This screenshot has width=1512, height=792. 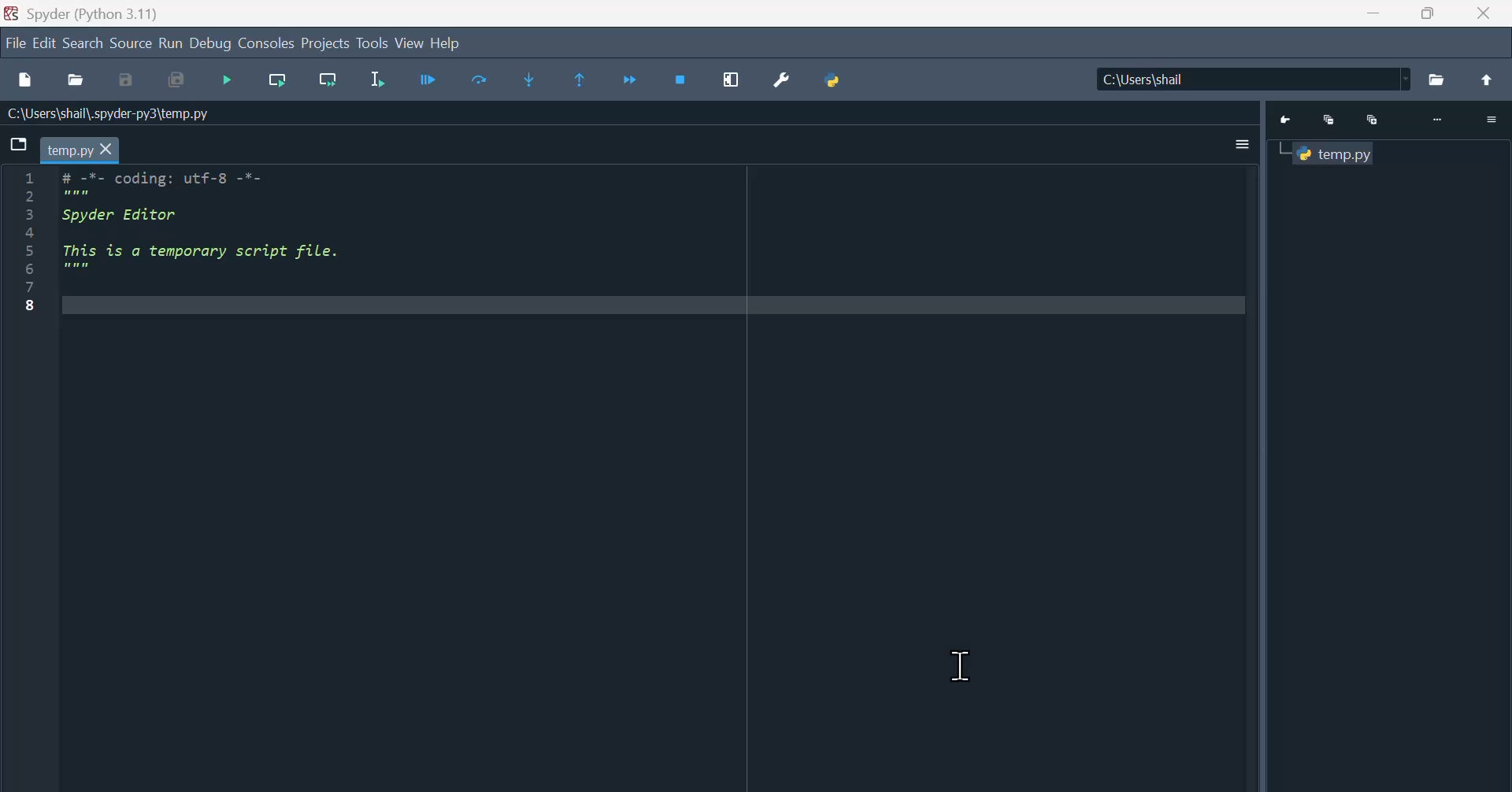 What do you see at coordinates (278, 80) in the screenshot?
I see `Run current cell` at bounding box center [278, 80].